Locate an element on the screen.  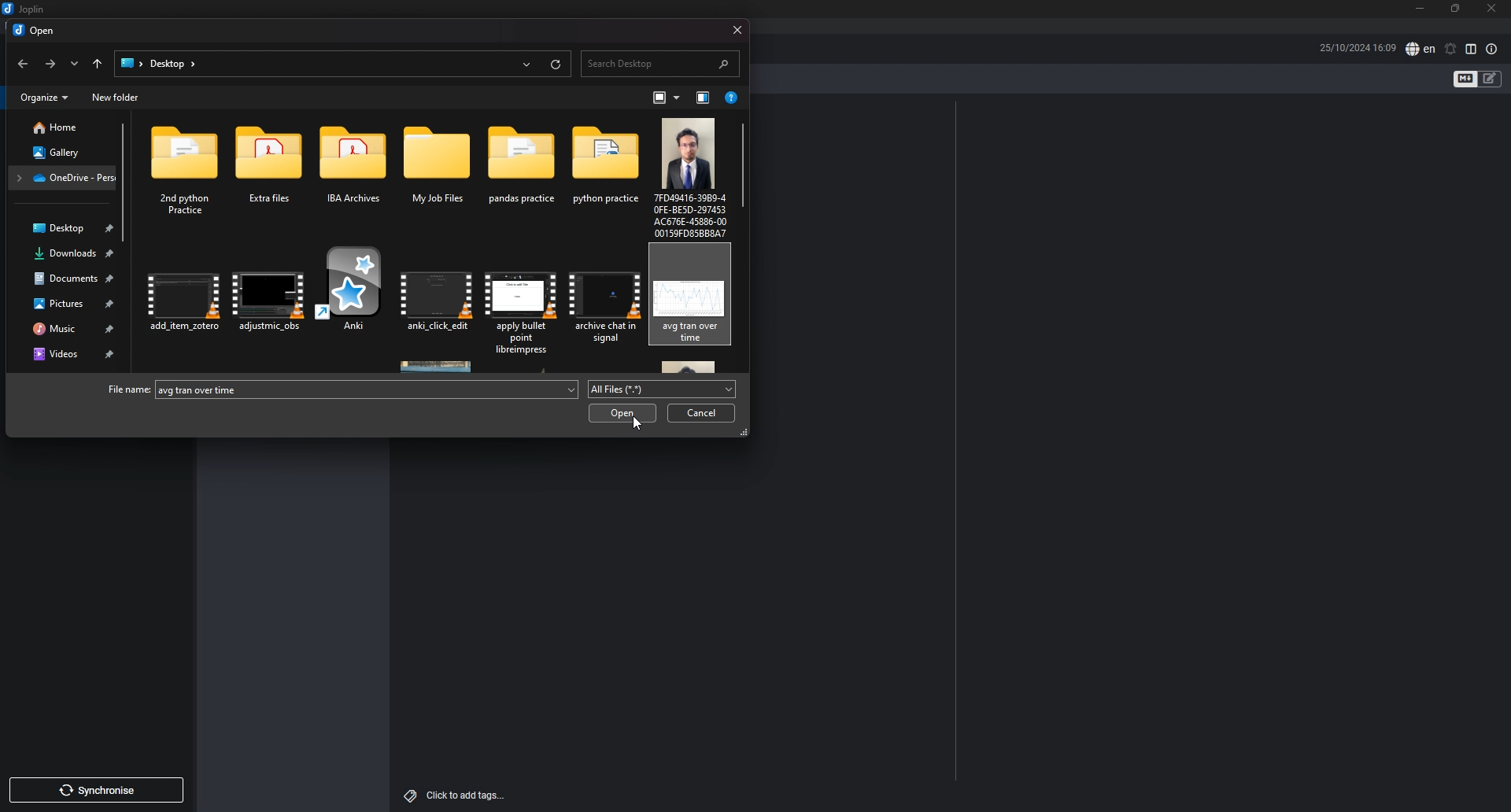
toggle editors is located at coordinates (1491, 79).